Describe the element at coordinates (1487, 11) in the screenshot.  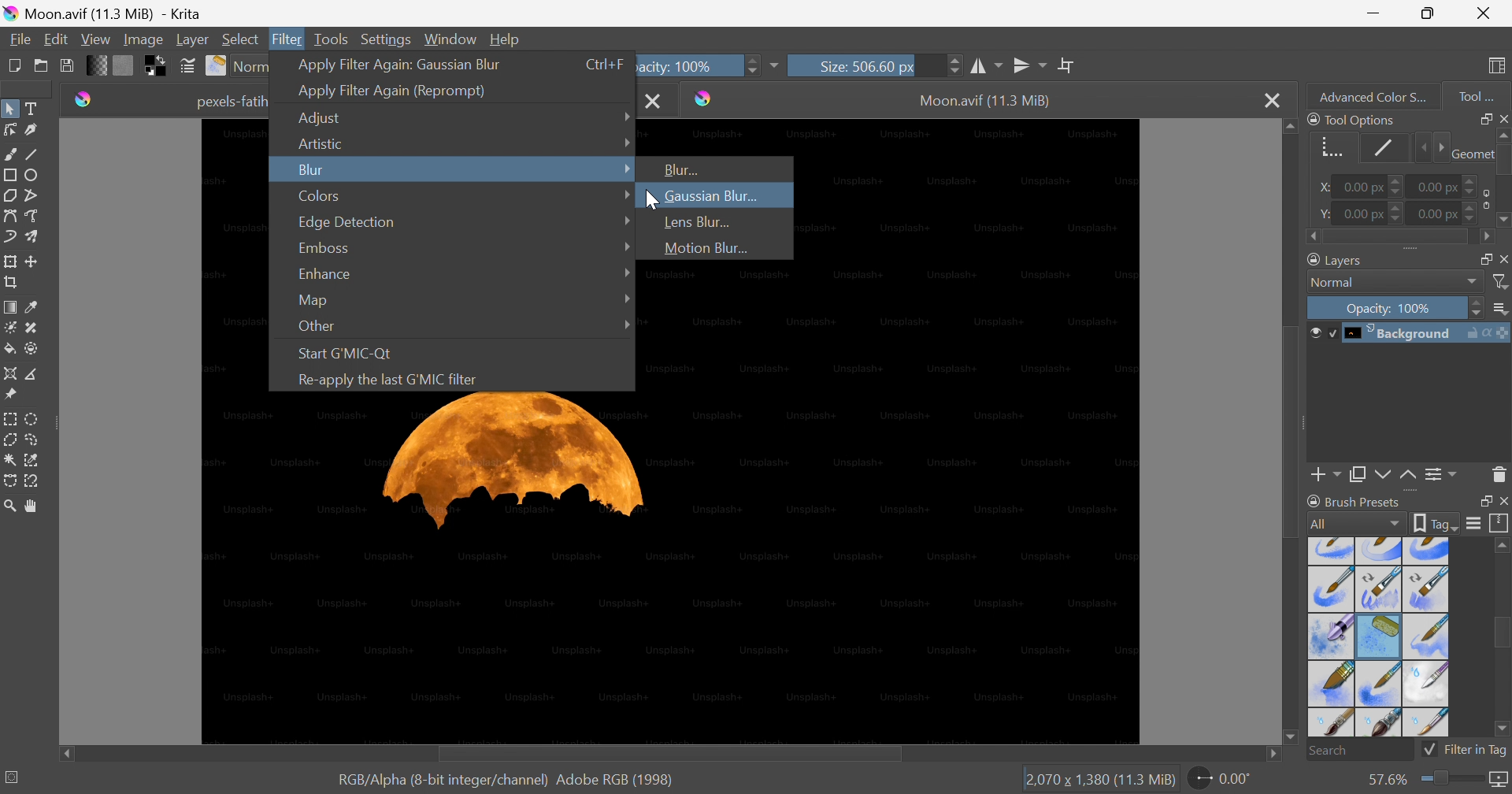
I see `Close` at that location.